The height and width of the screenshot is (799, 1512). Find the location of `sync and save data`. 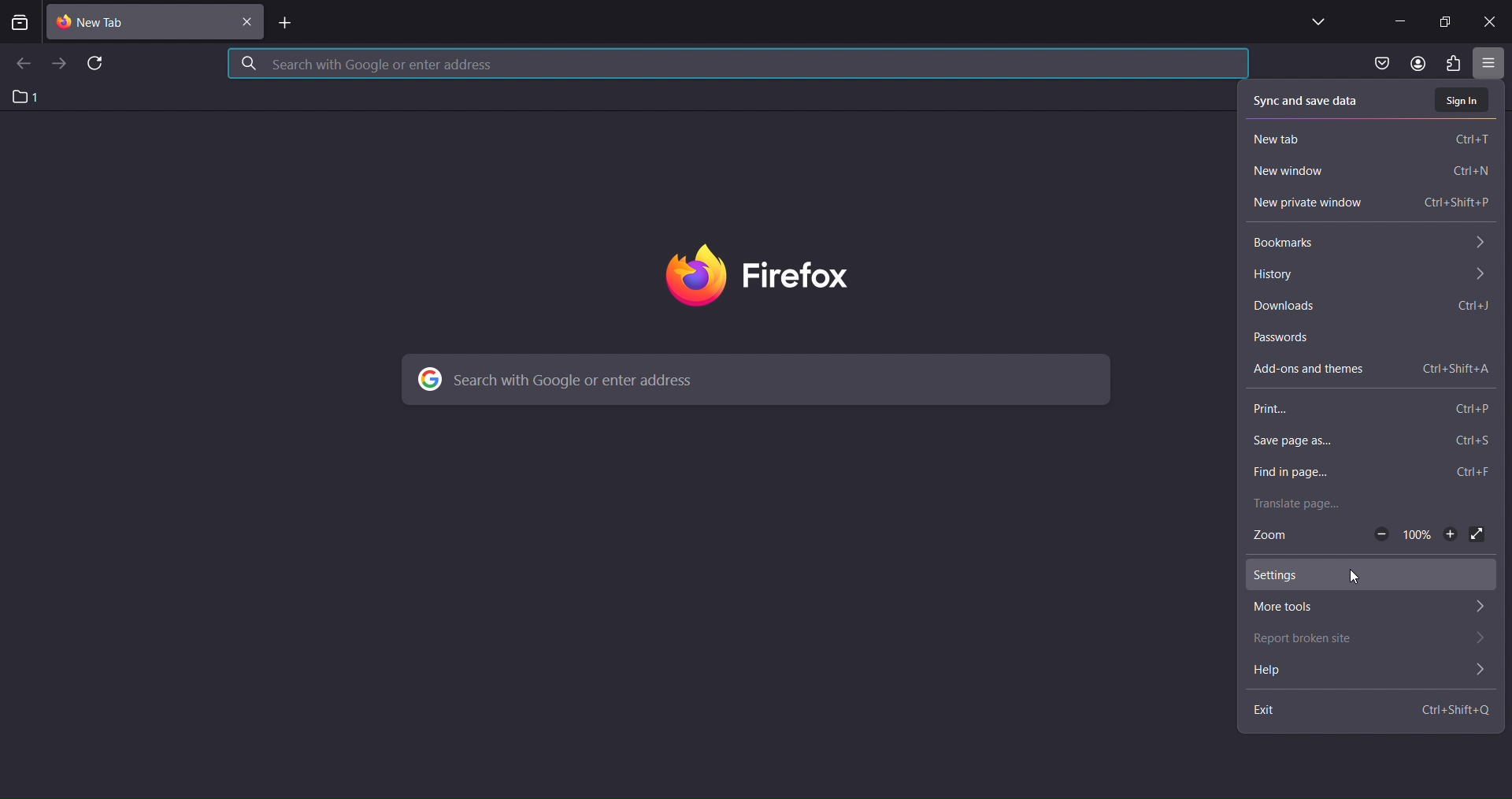

sync and save data is located at coordinates (1310, 101).